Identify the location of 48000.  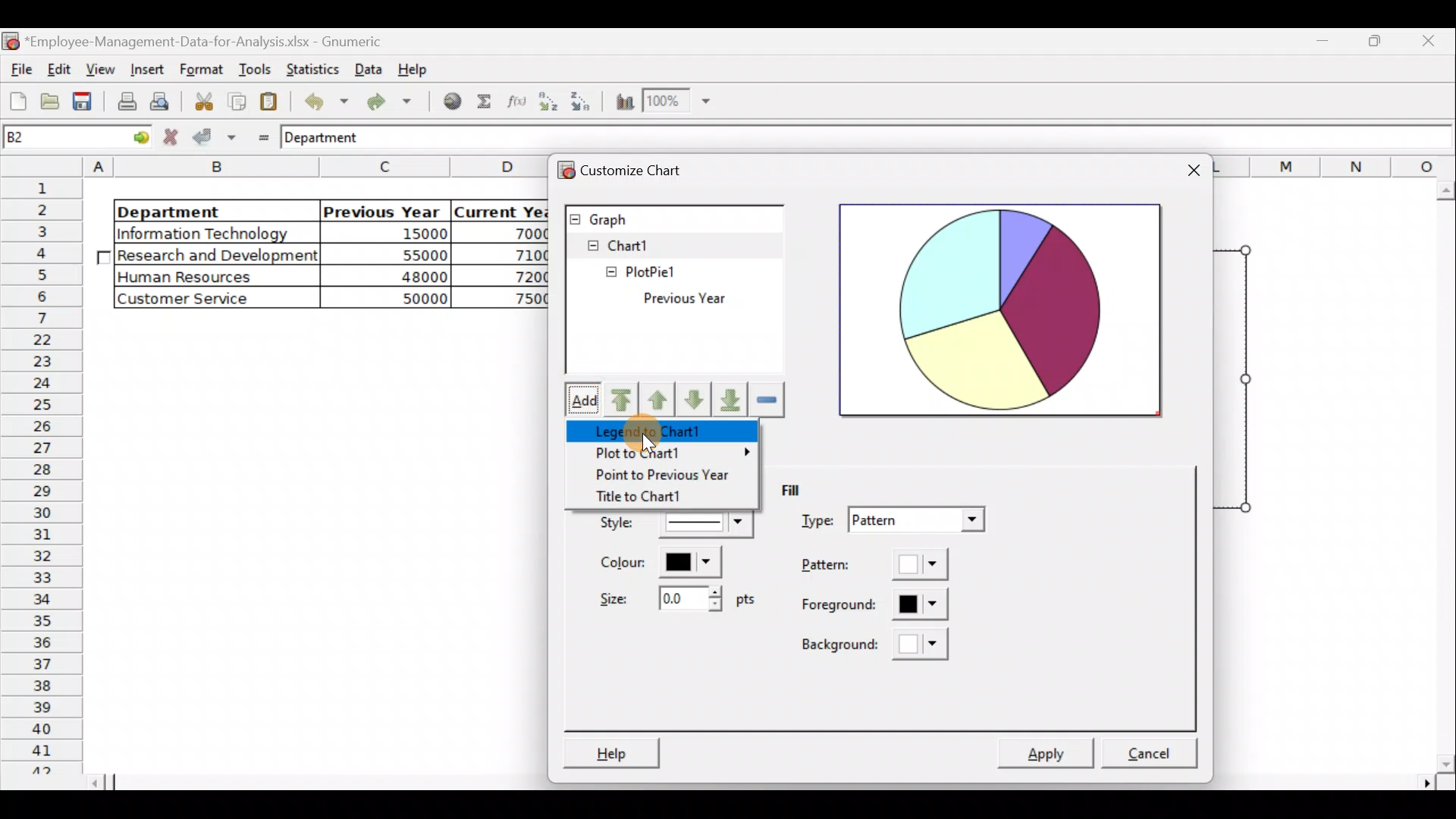
(399, 278).